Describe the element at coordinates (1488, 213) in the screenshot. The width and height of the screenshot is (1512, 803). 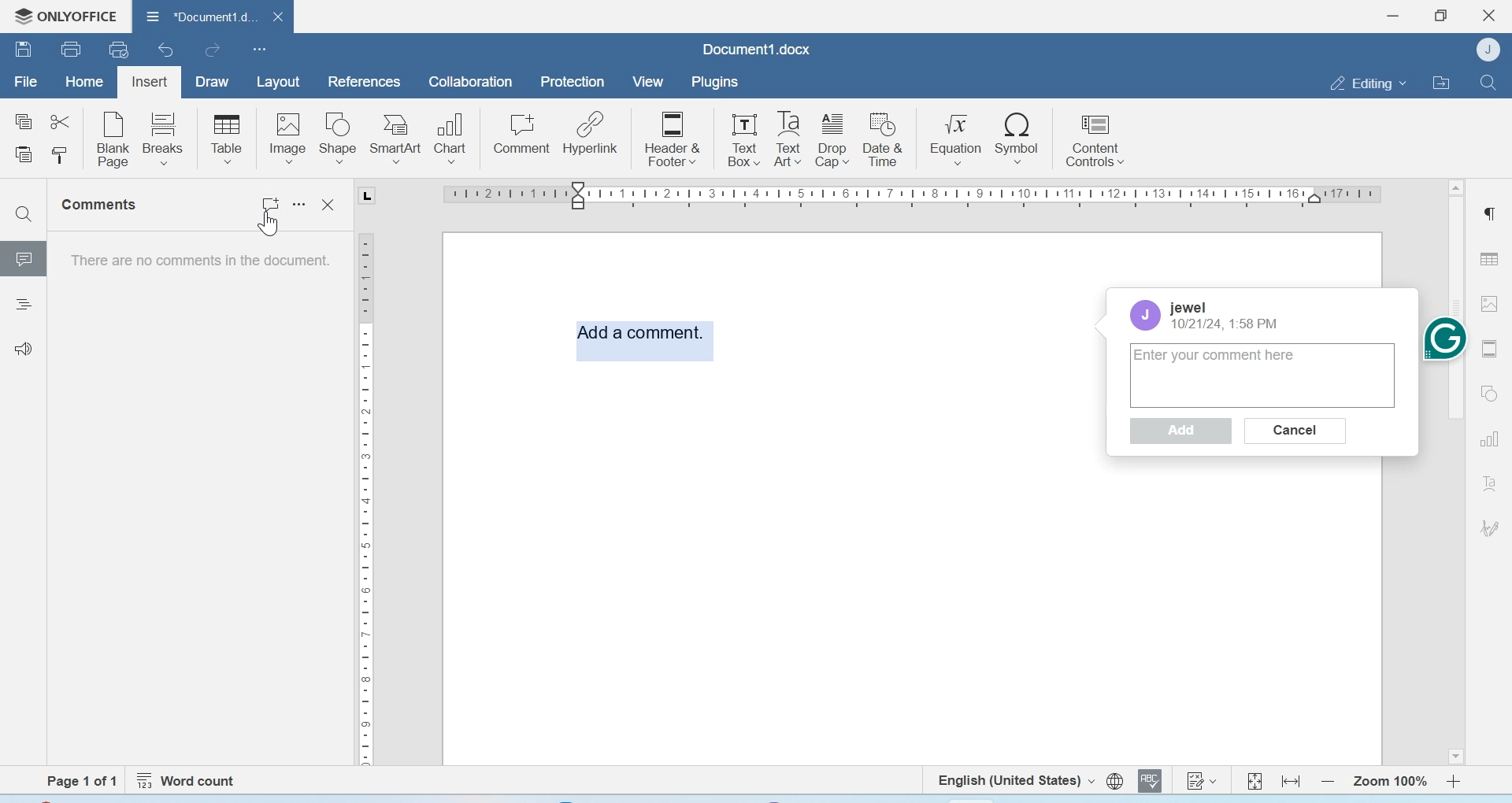
I see `Paragraph settings` at that location.